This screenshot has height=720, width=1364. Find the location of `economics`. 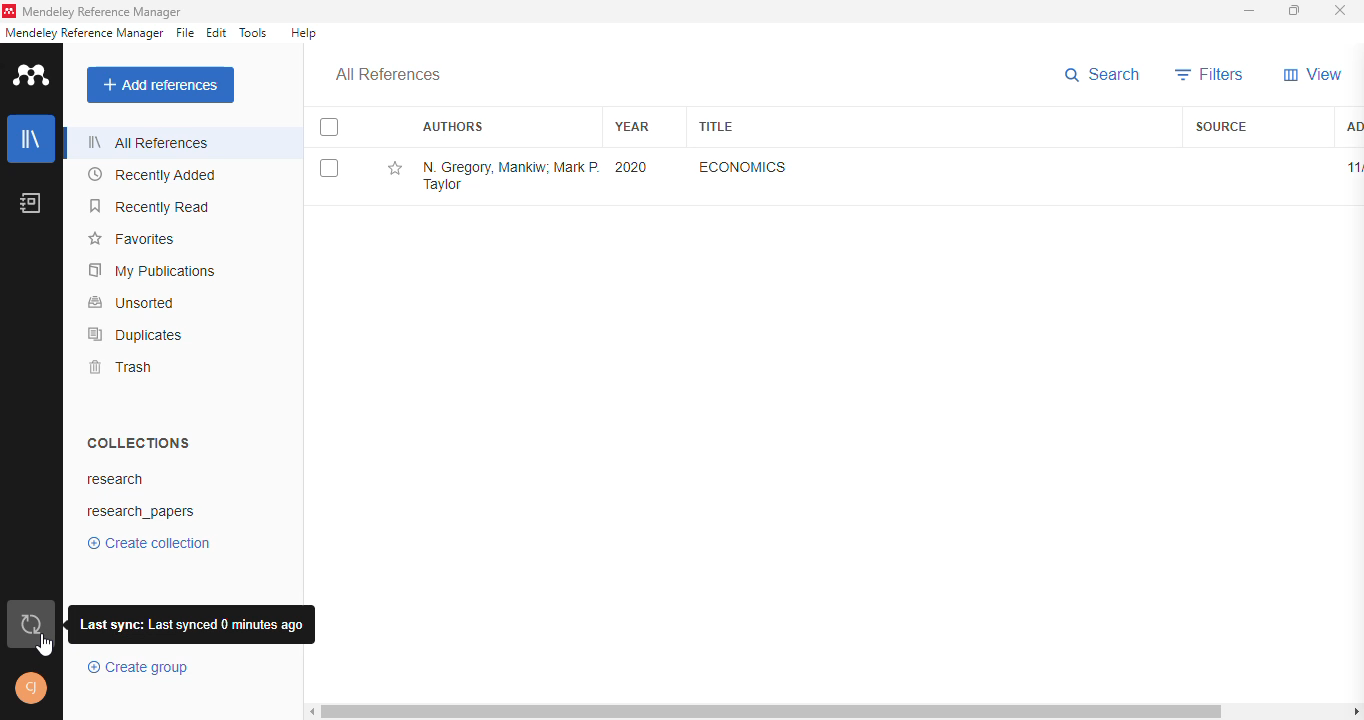

economics is located at coordinates (743, 167).